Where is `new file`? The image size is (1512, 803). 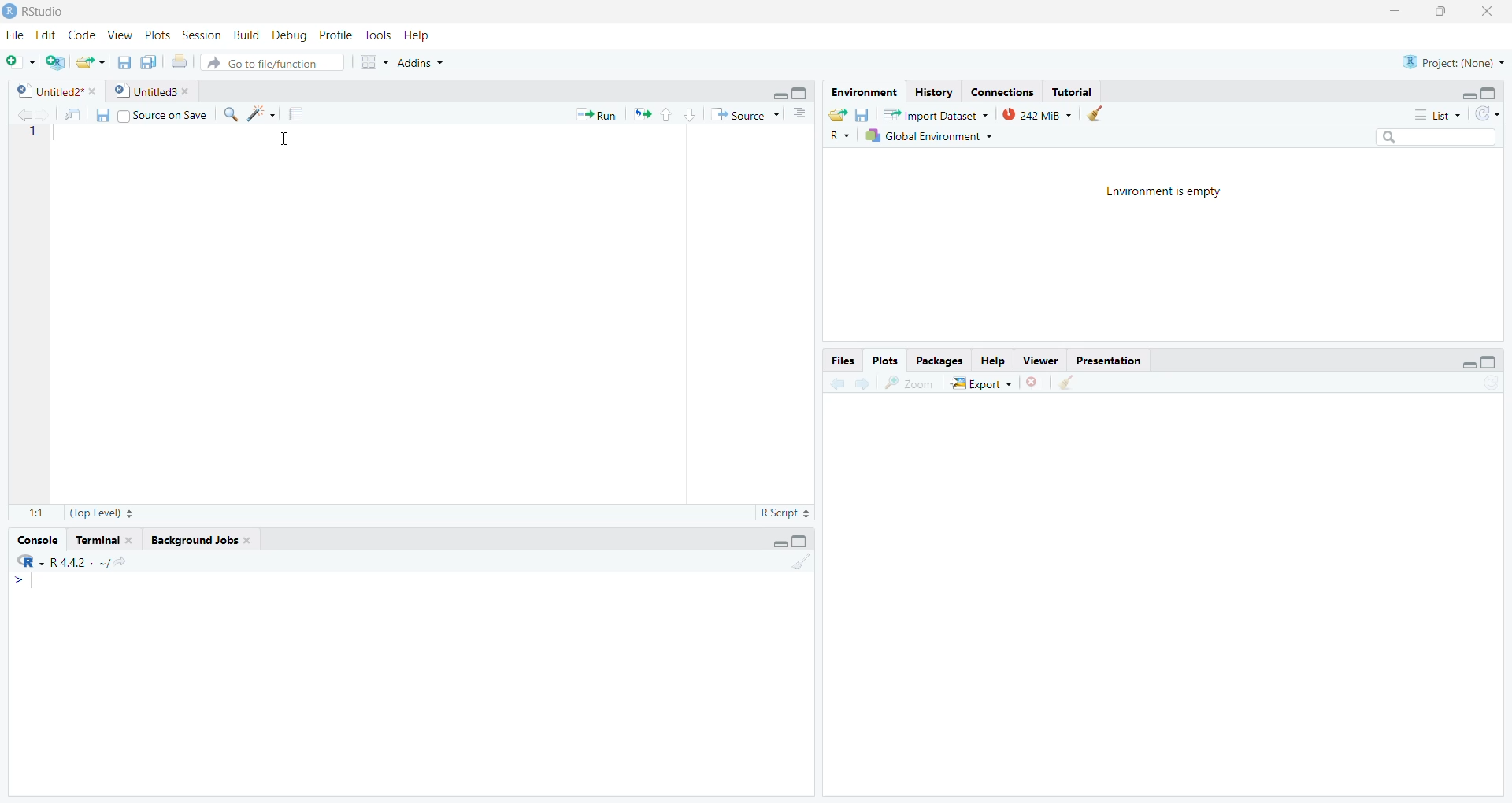
new file is located at coordinates (20, 62).